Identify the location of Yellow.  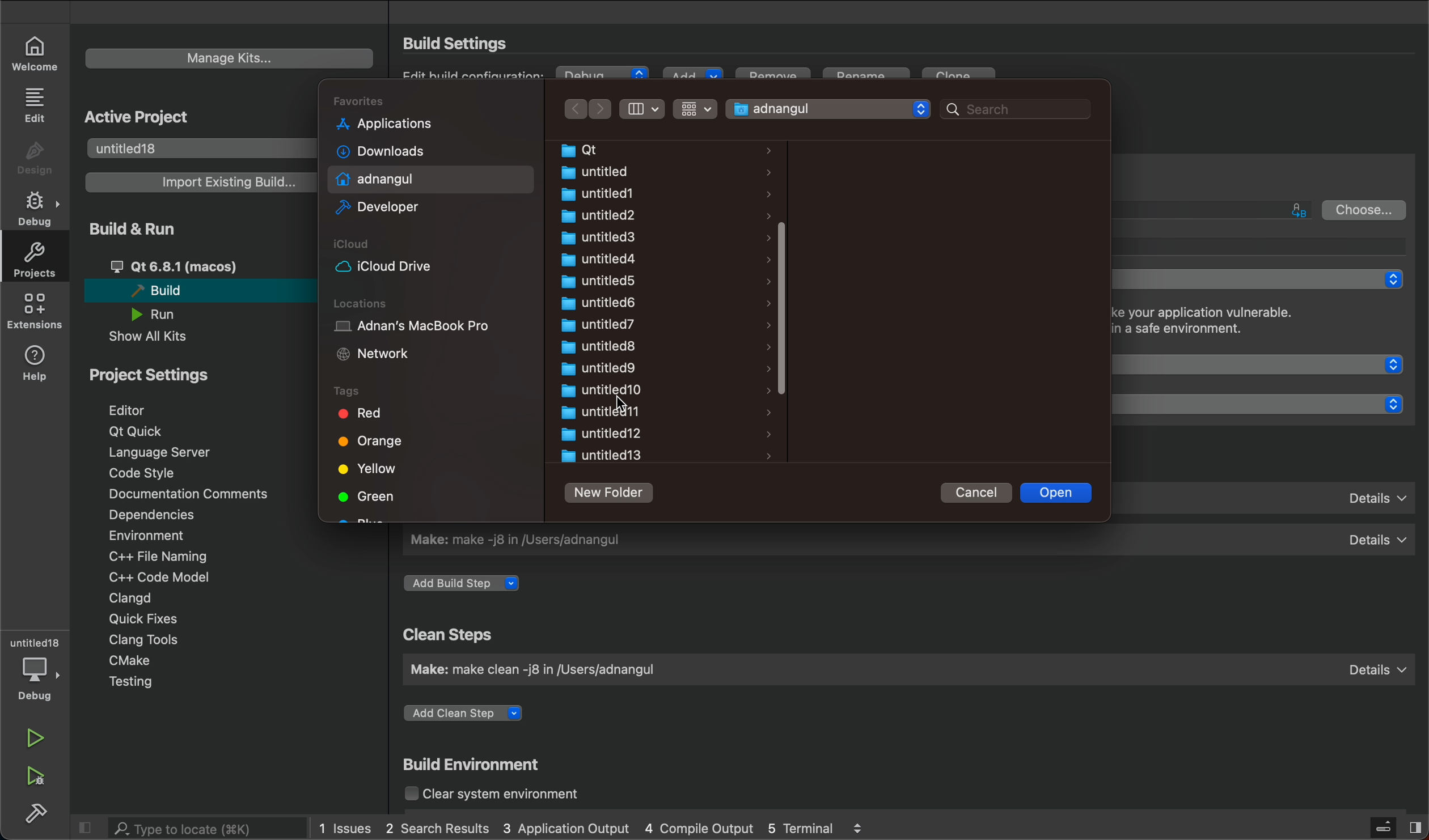
(371, 468).